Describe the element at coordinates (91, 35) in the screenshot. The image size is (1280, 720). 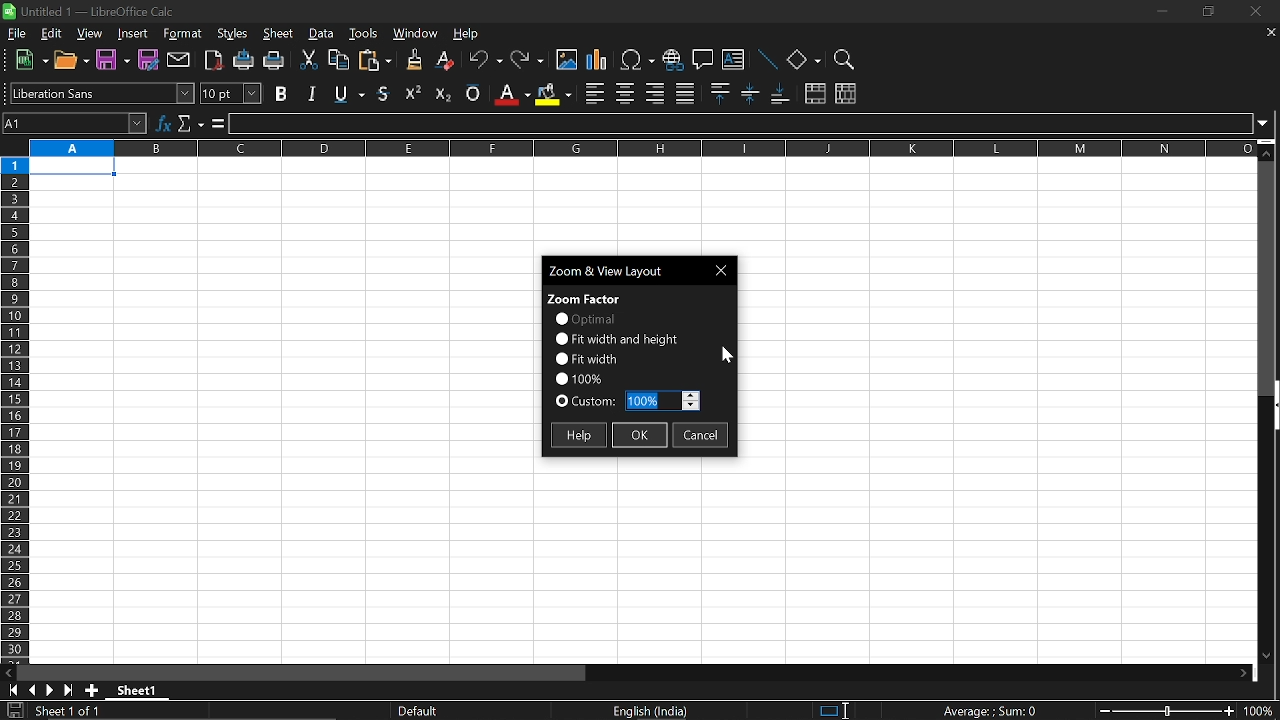
I see `view` at that location.